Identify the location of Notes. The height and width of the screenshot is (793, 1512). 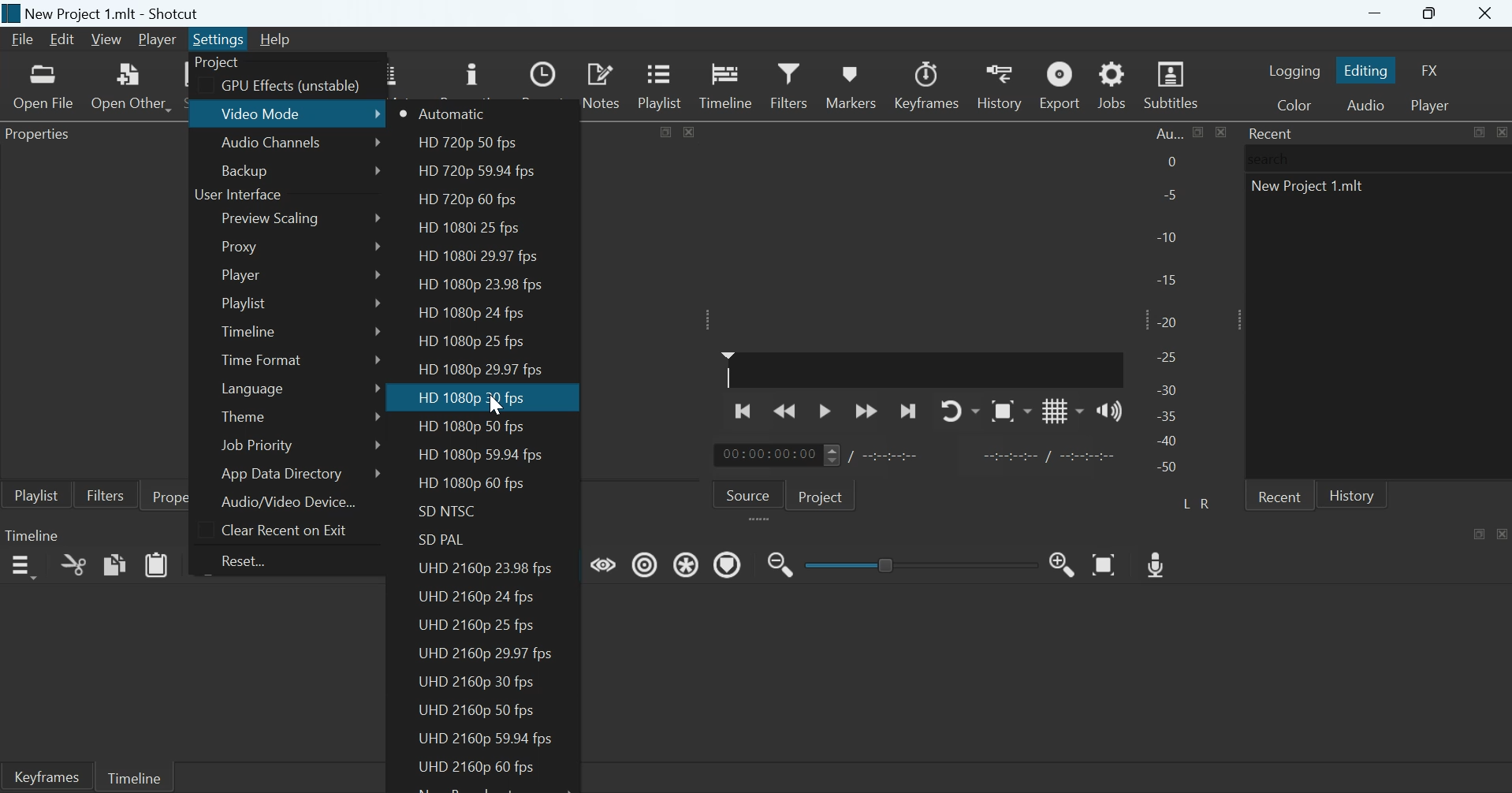
(603, 84).